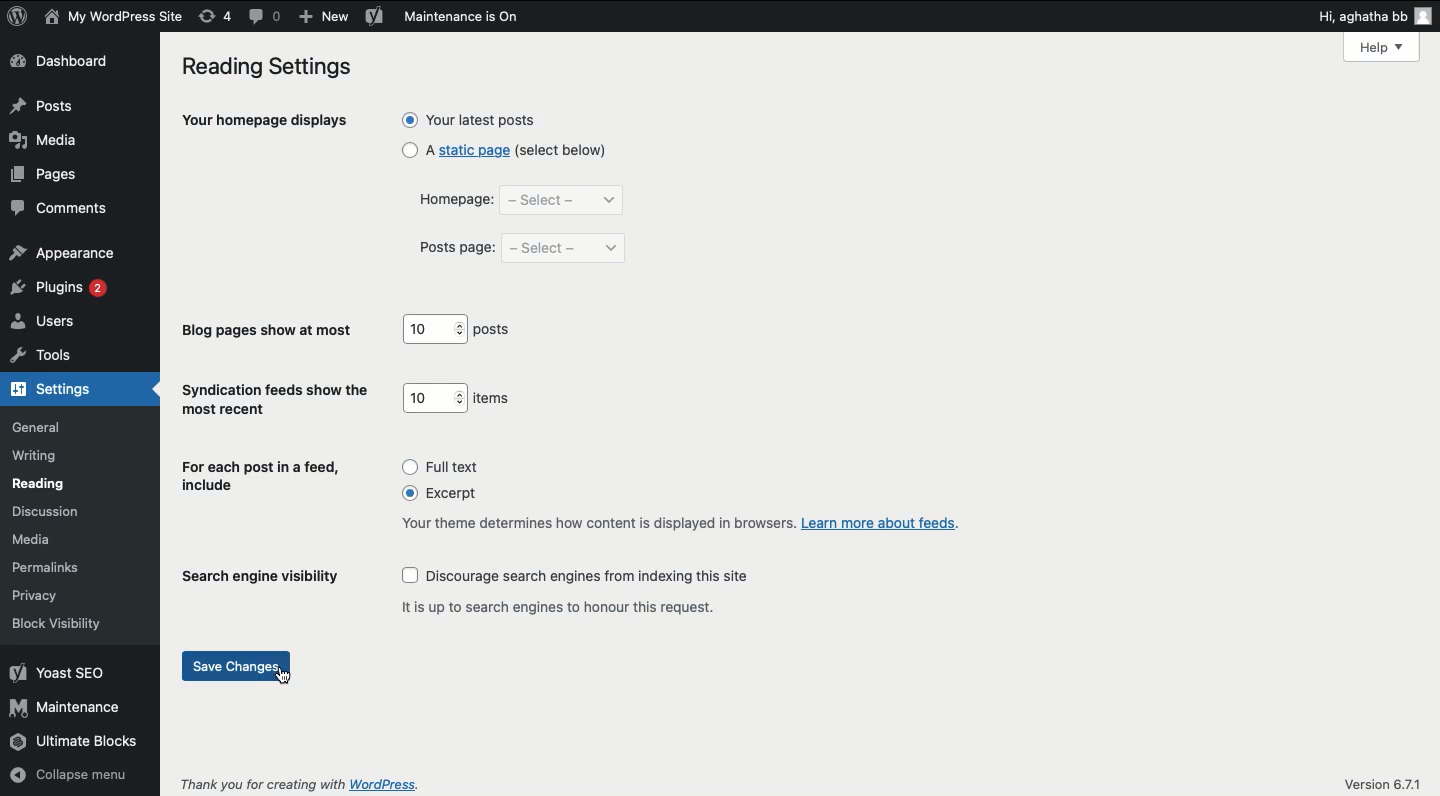  What do you see at coordinates (43, 569) in the screenshot?
I see `permalinks` at bounding box center [43, 569].